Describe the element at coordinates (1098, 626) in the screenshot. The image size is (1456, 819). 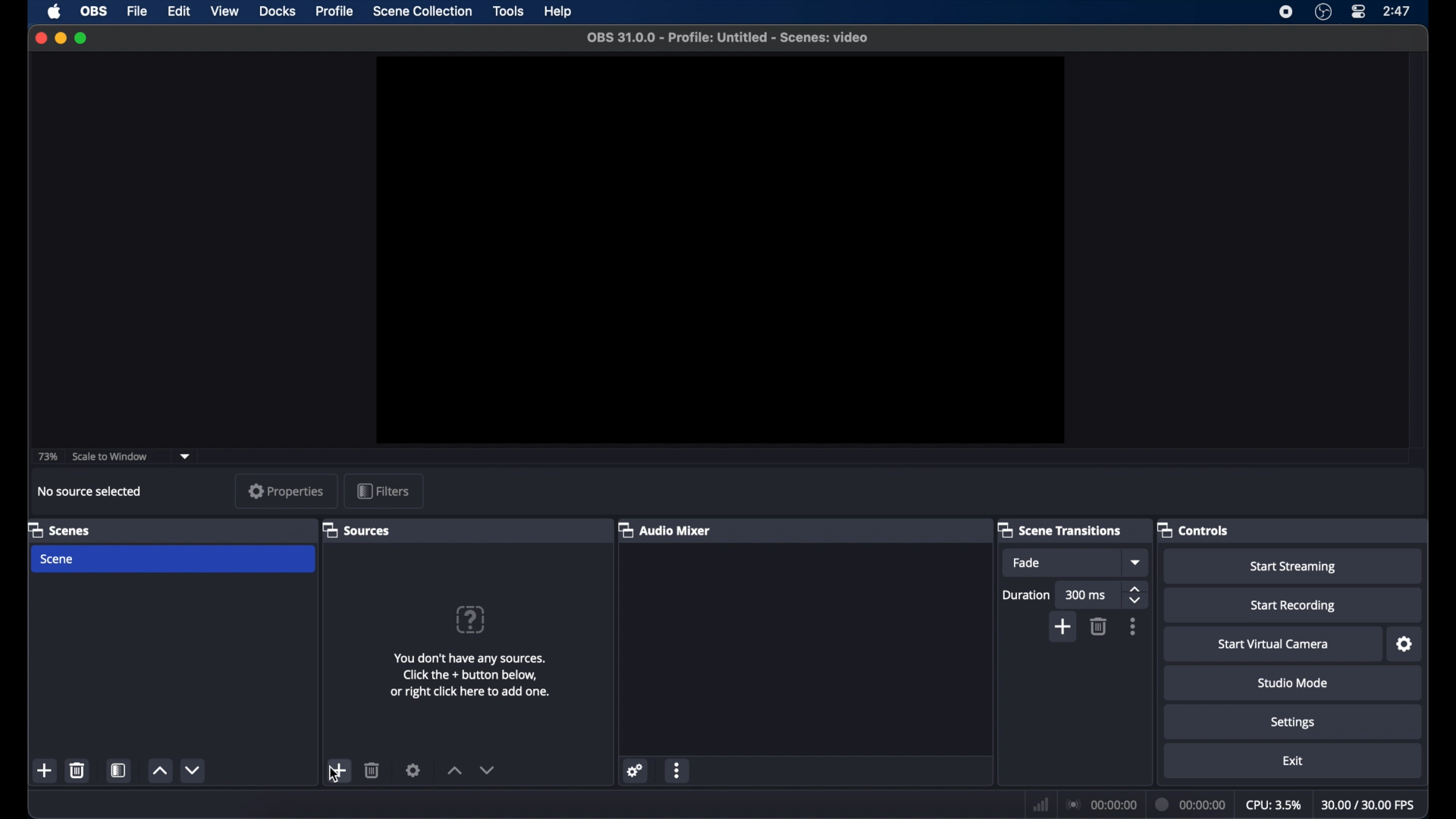
I see `delete` at that location.